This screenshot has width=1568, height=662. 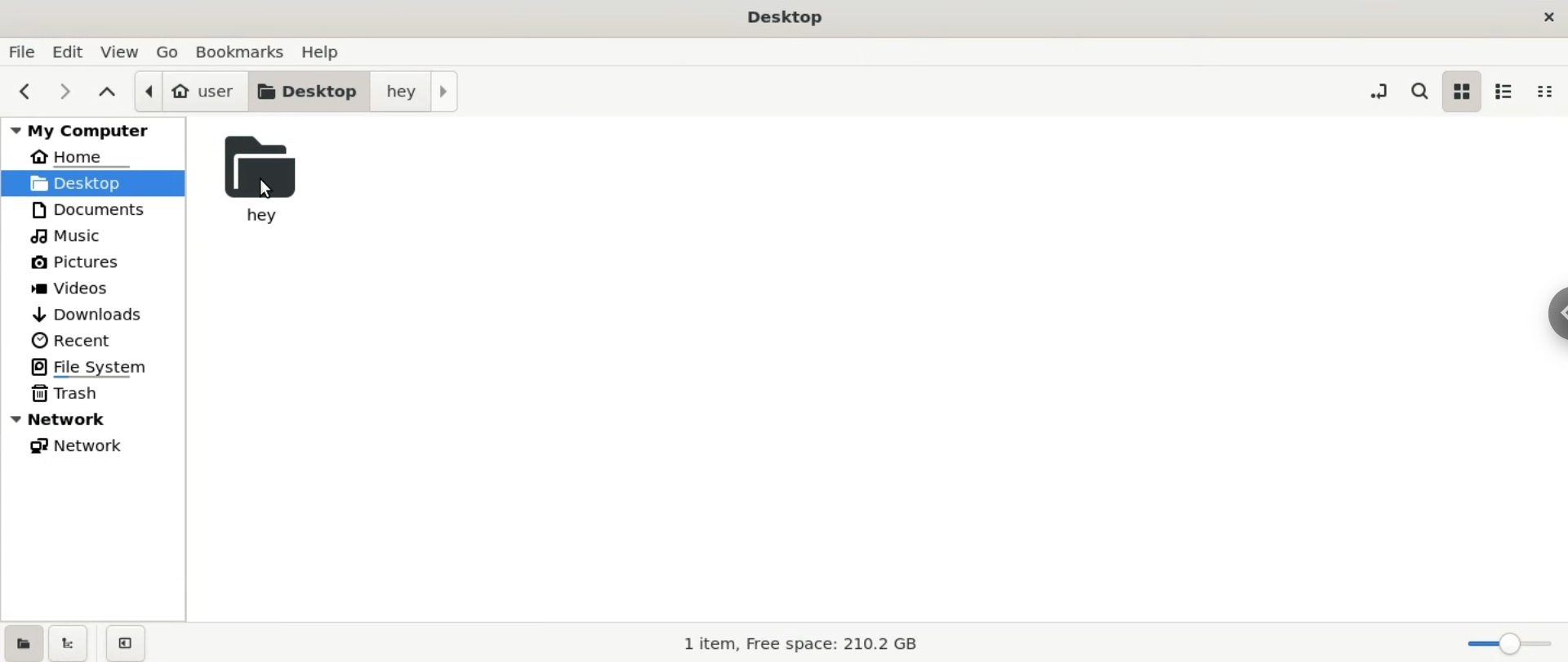 I want to click on edit, so click(x=67, y=51).